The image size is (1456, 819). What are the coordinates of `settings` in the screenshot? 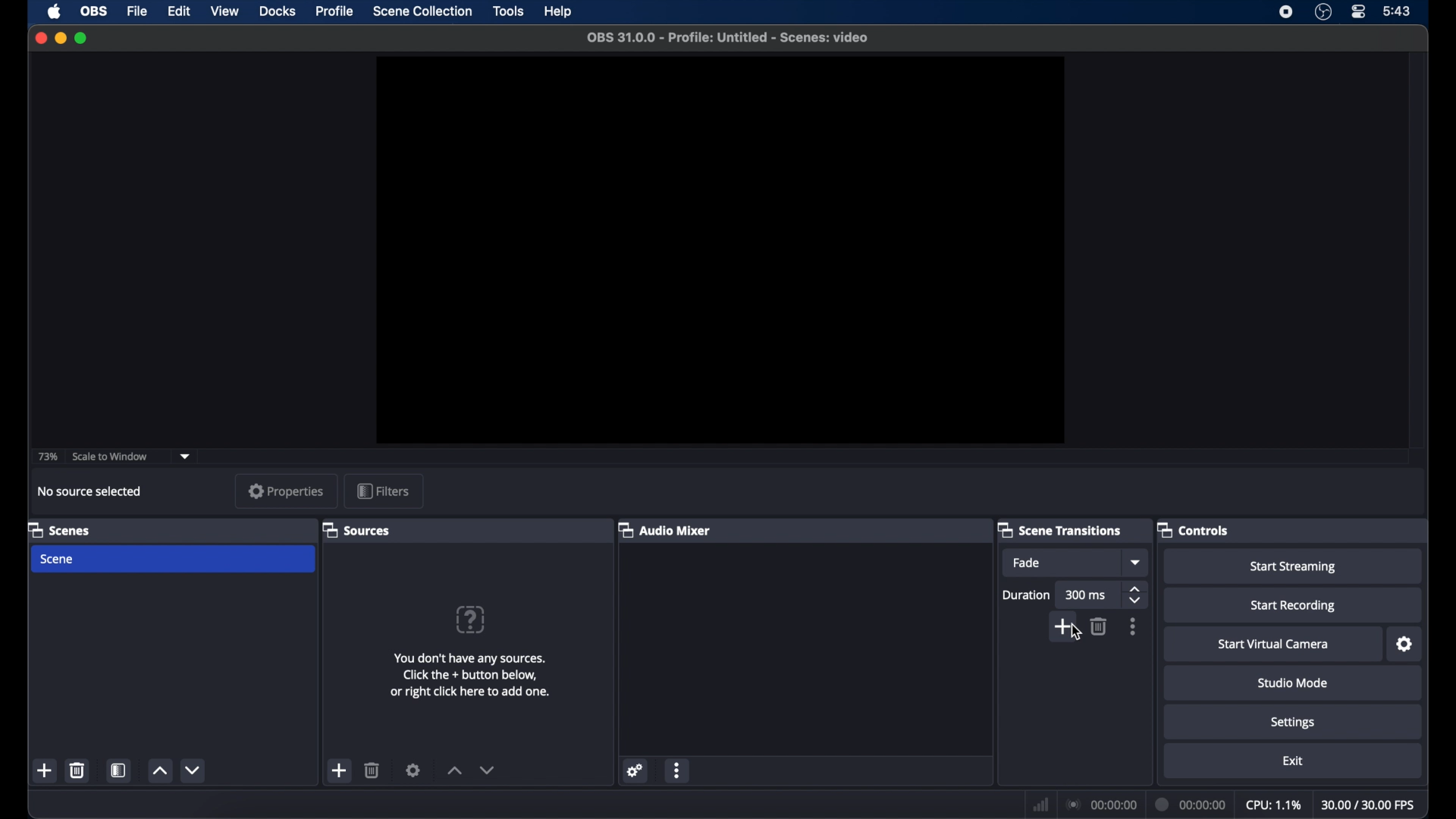 It's located at (635, 772).